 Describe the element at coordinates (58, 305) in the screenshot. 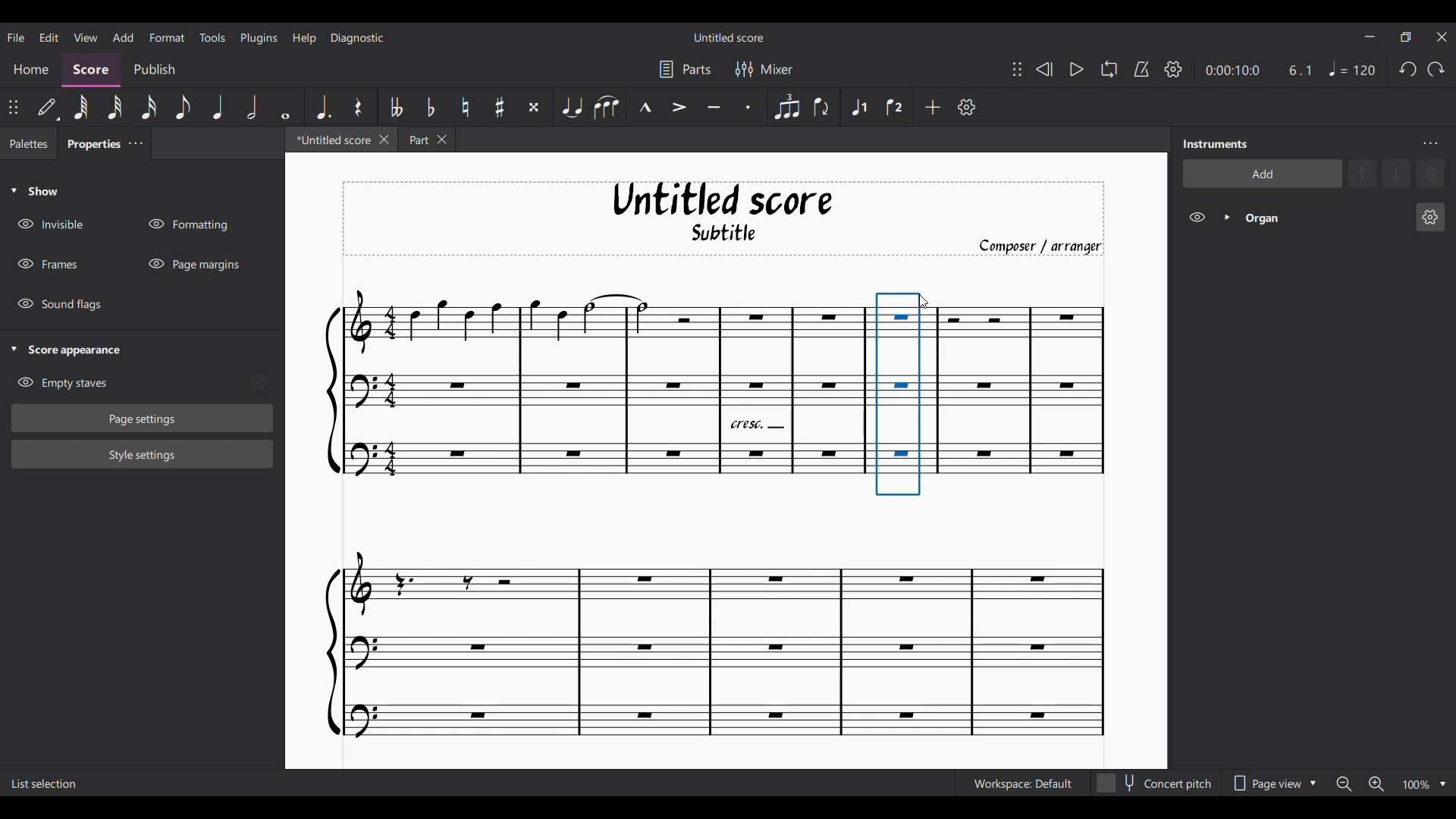

I see `Hide Sound flags` at that location.